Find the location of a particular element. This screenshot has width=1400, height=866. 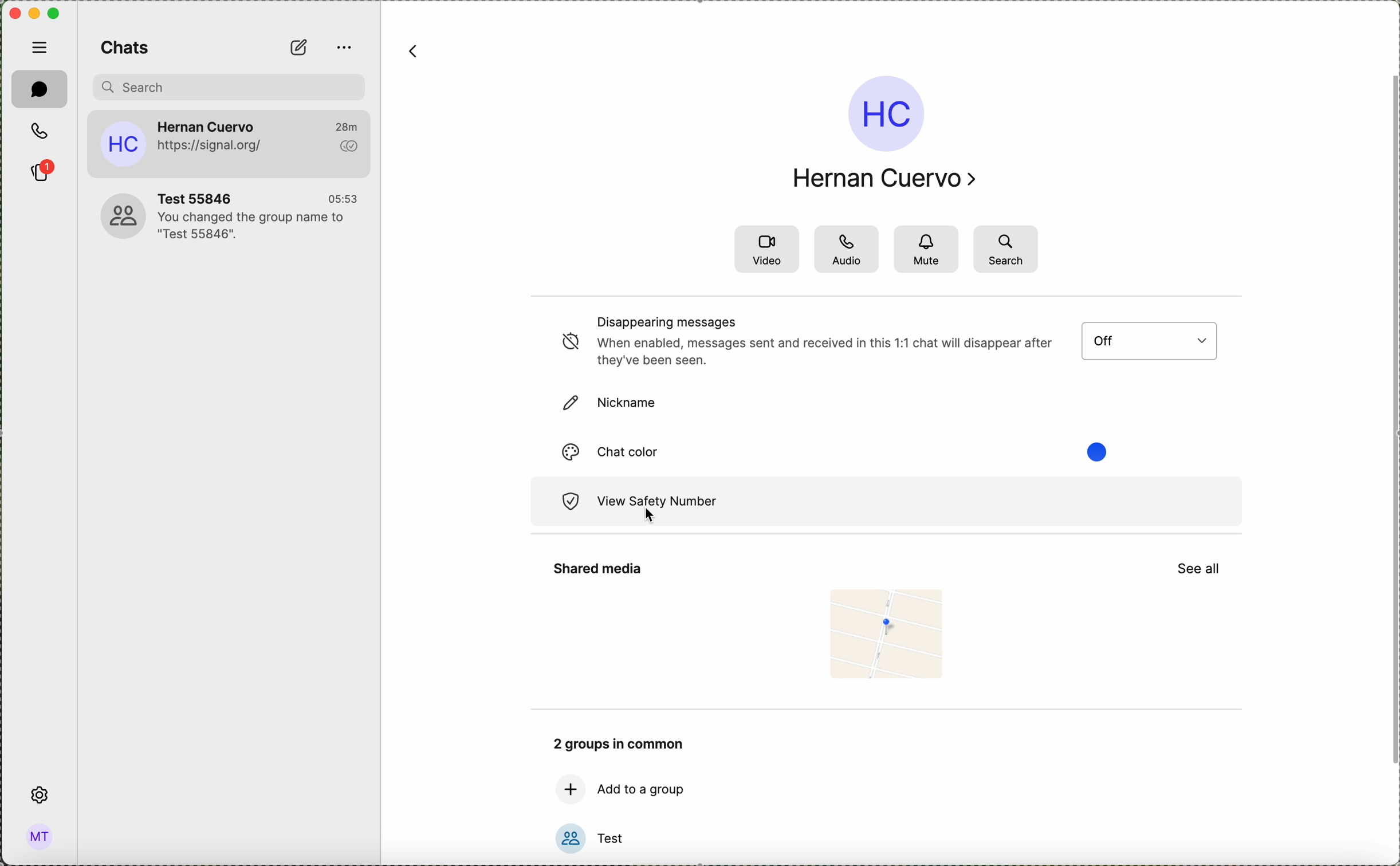

back is located at coordinates (416, 53).